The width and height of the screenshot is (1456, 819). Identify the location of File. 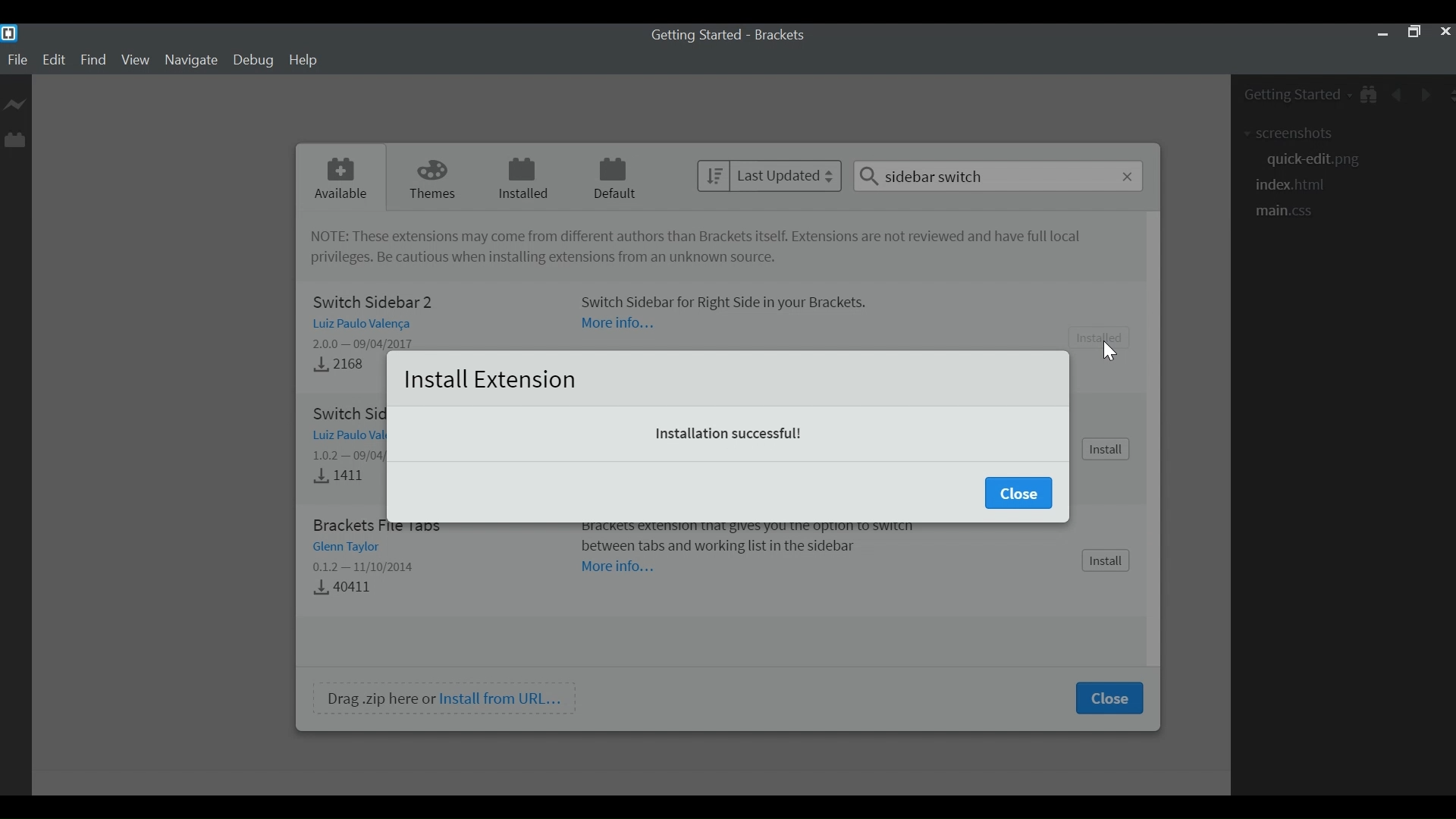
(17, 60).